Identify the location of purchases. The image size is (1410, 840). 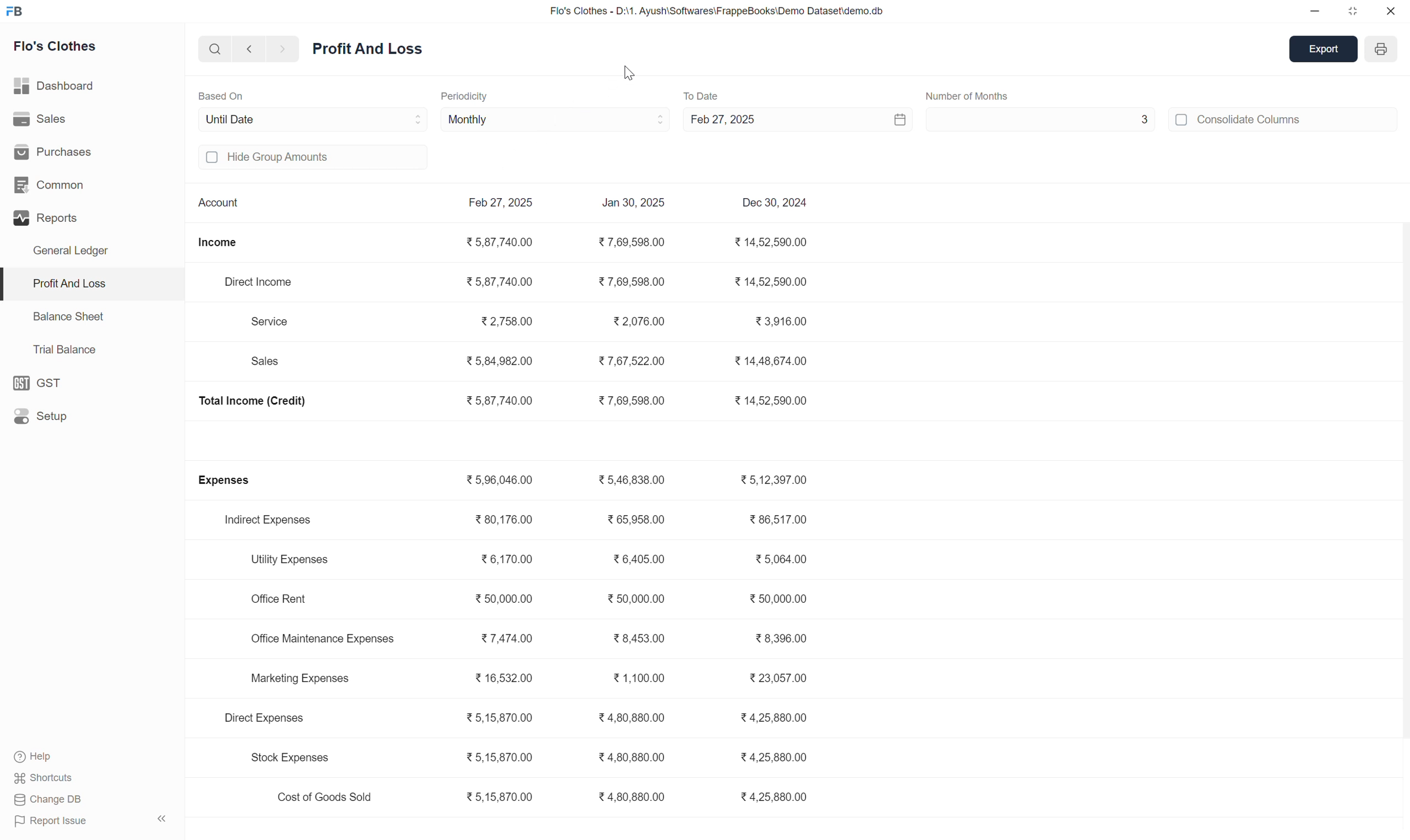
(55, 151).